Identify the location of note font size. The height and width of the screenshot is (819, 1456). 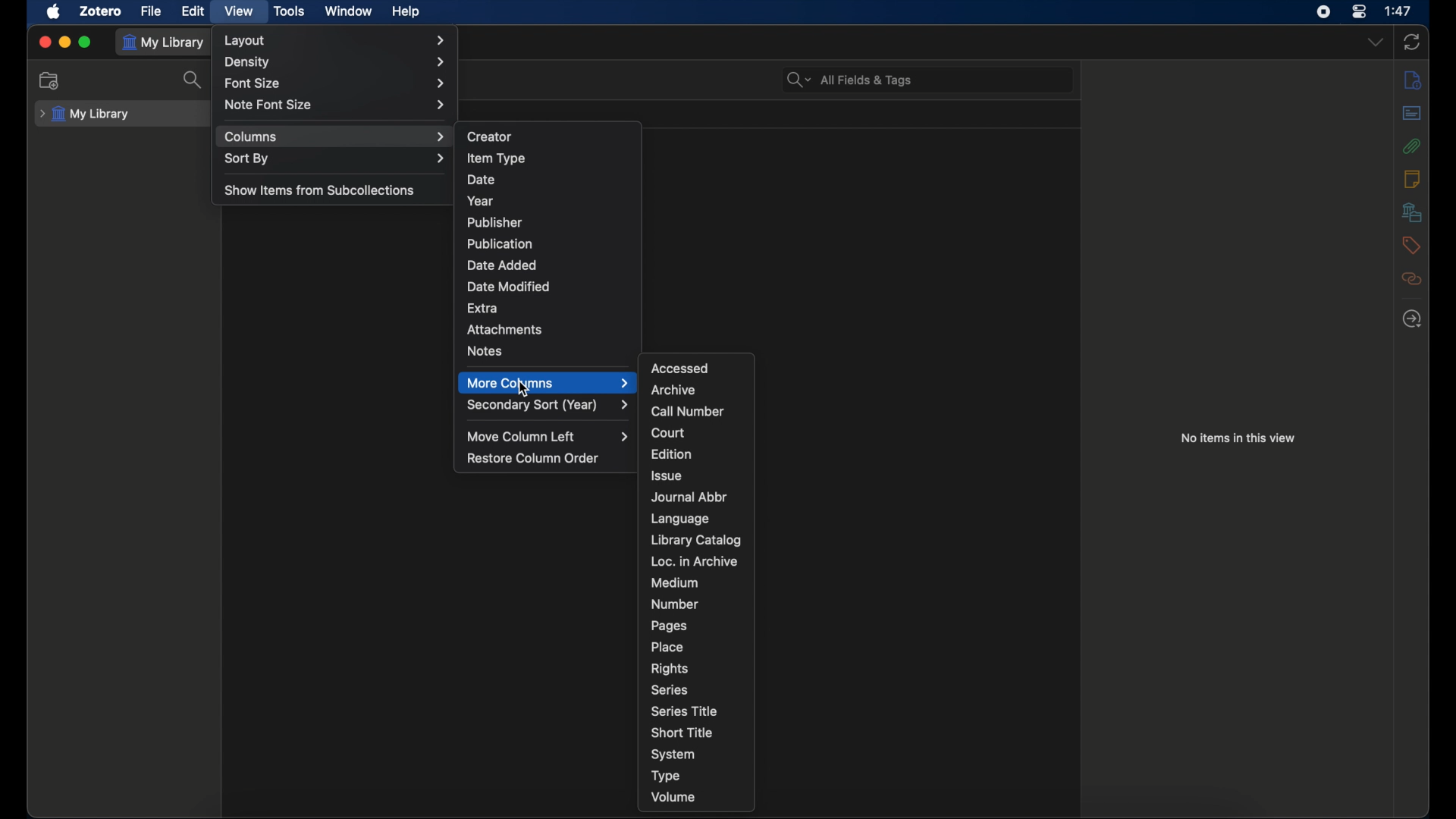
(336, 105).